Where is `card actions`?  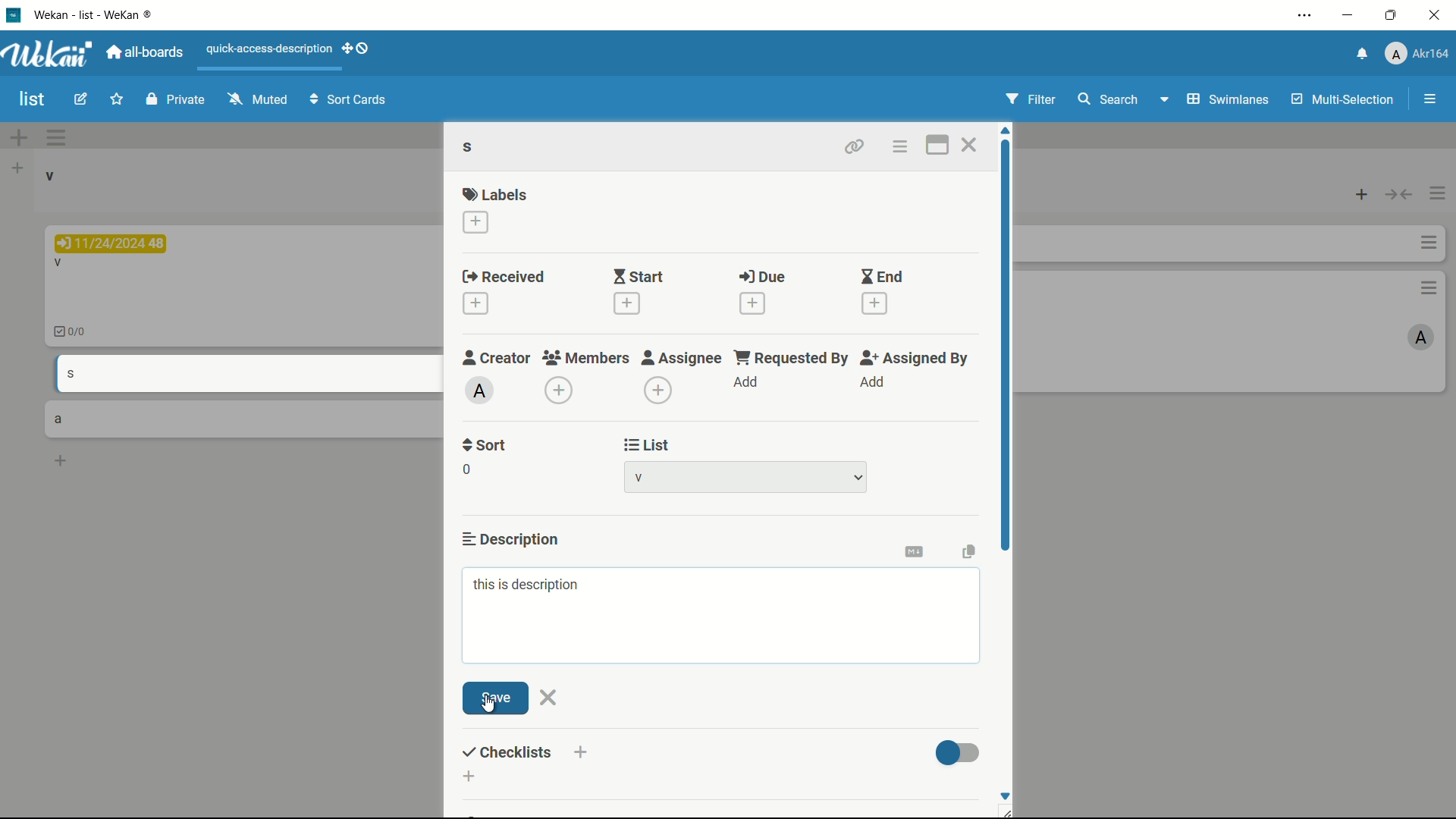 card actions is located at coordinates (899, 146).